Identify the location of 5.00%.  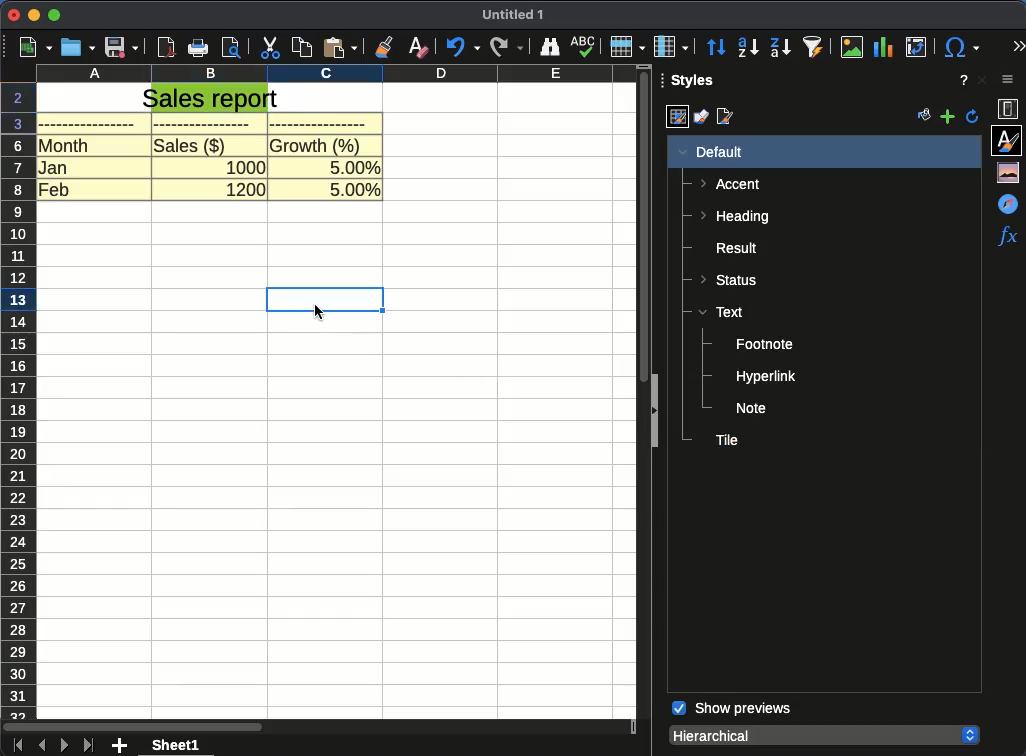
(352, 165).